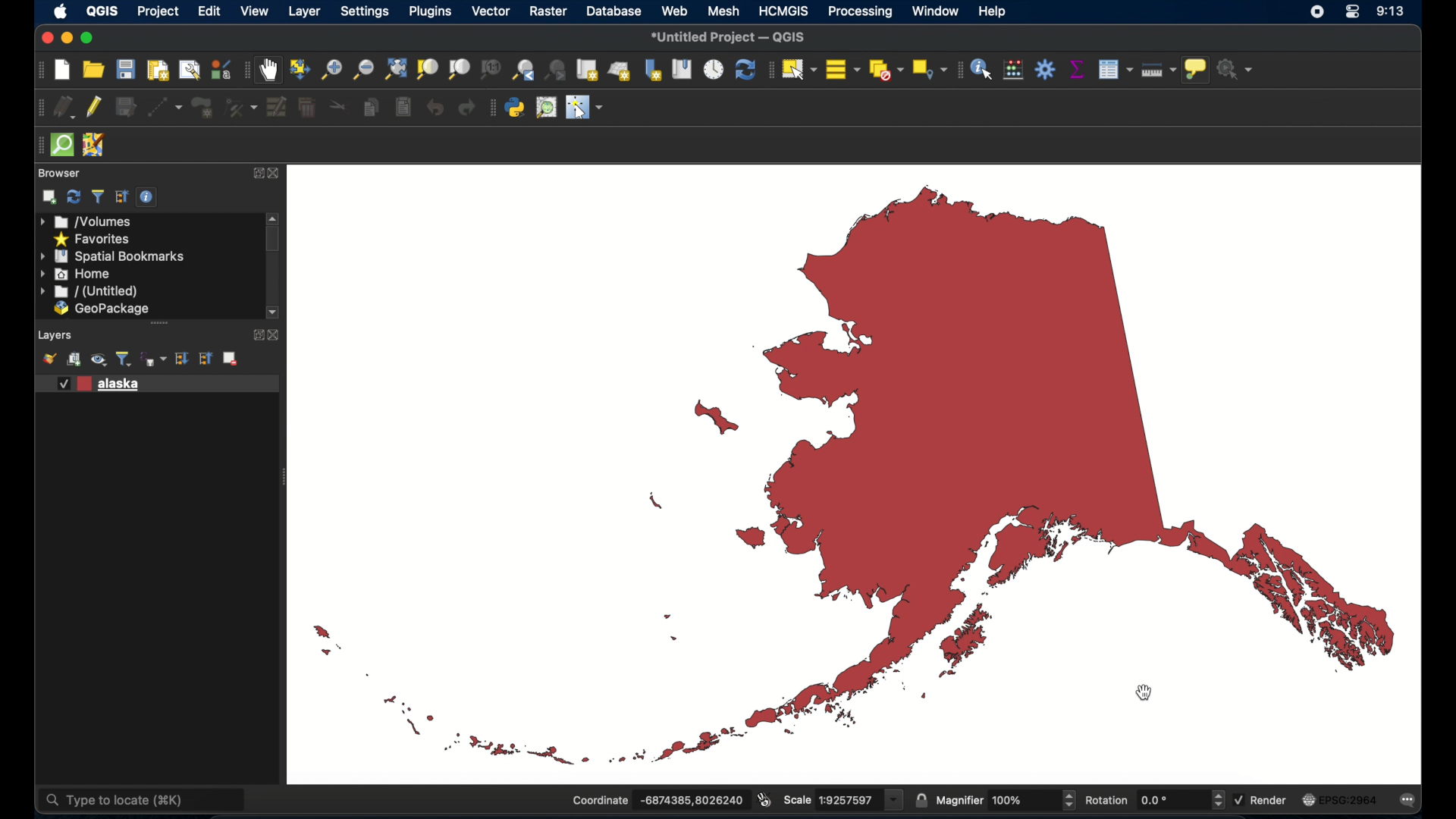 The height and width of the screenshot is (819, 1456). What do you see at coordinates (372, 108) in the screenshot?
I see `copy features` at bounding box center [372, 108].